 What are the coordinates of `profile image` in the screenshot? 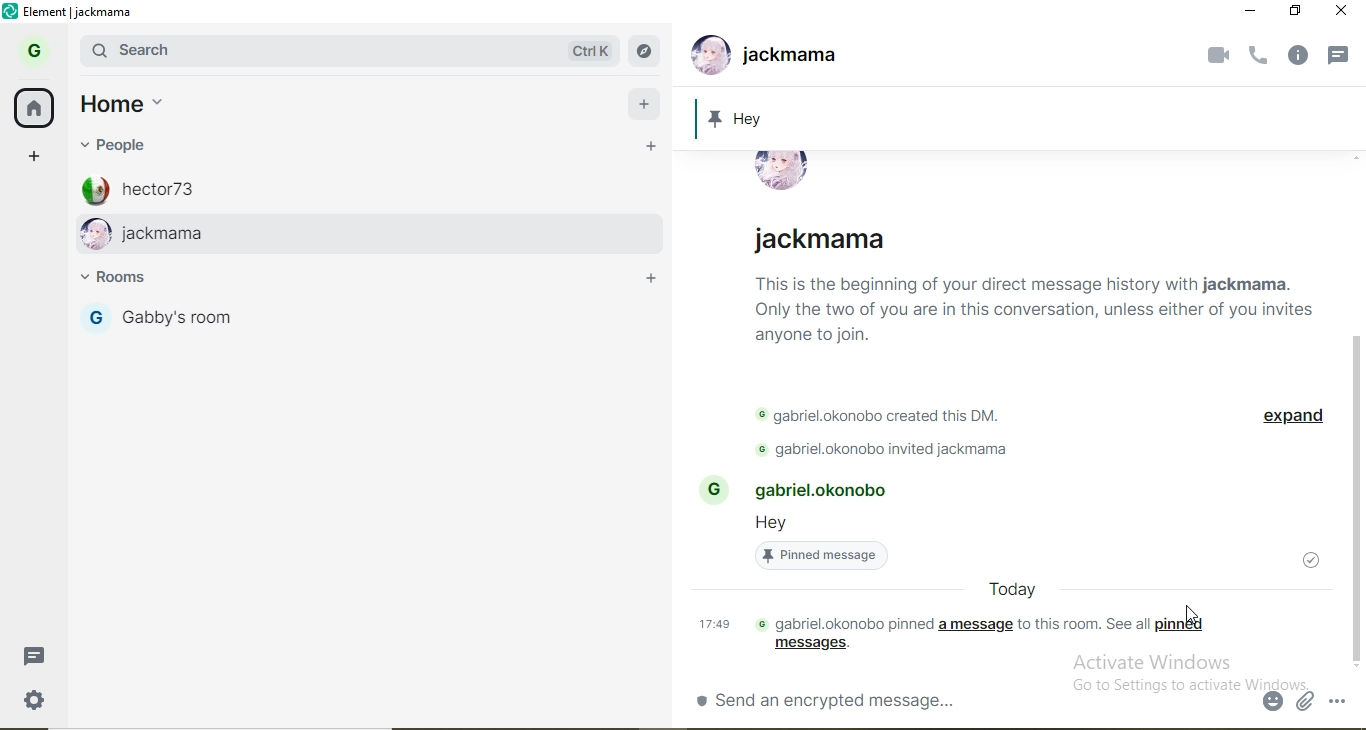 It's located at (94, 235).